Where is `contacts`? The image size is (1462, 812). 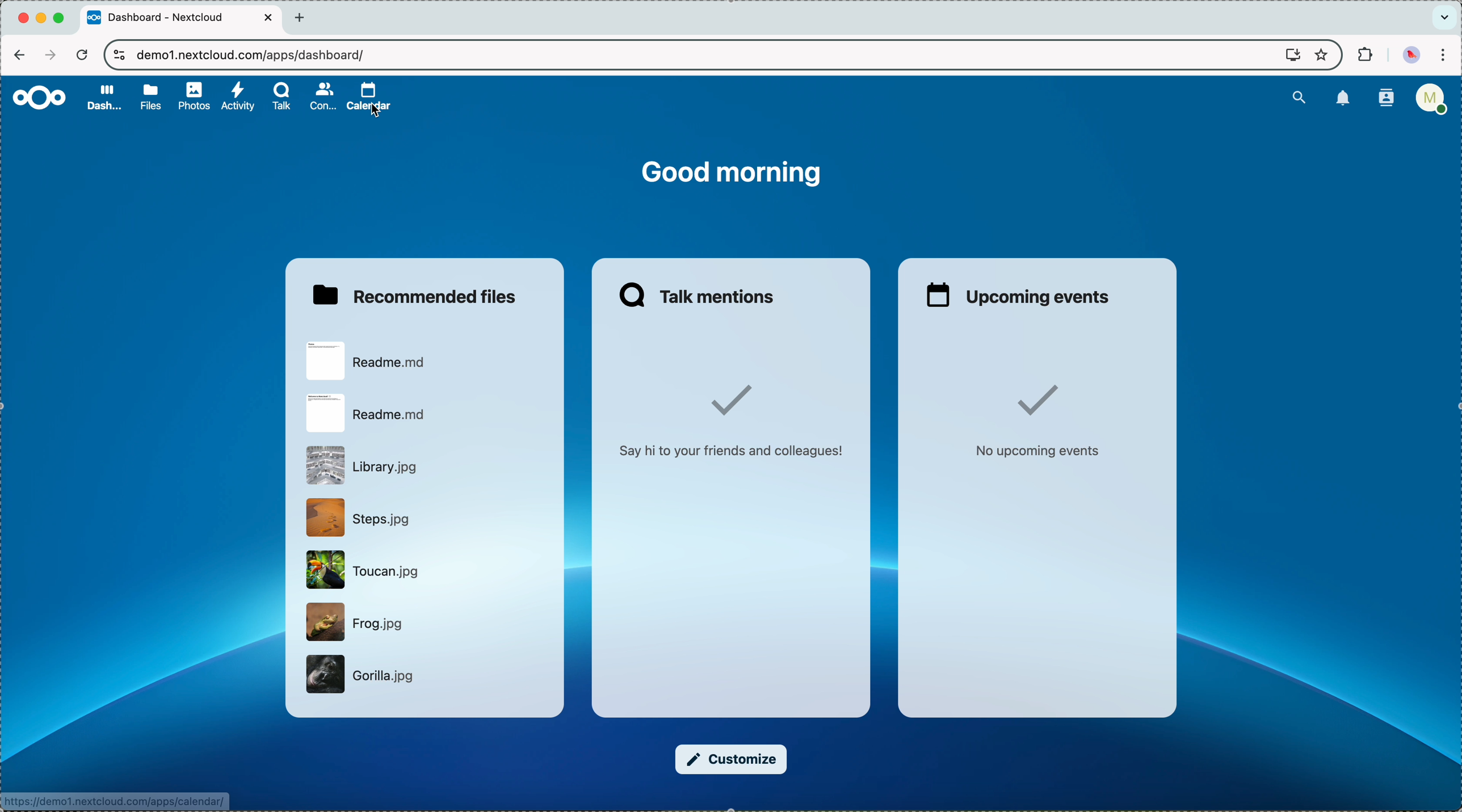
contacts is located at coordinates (1383, 99).